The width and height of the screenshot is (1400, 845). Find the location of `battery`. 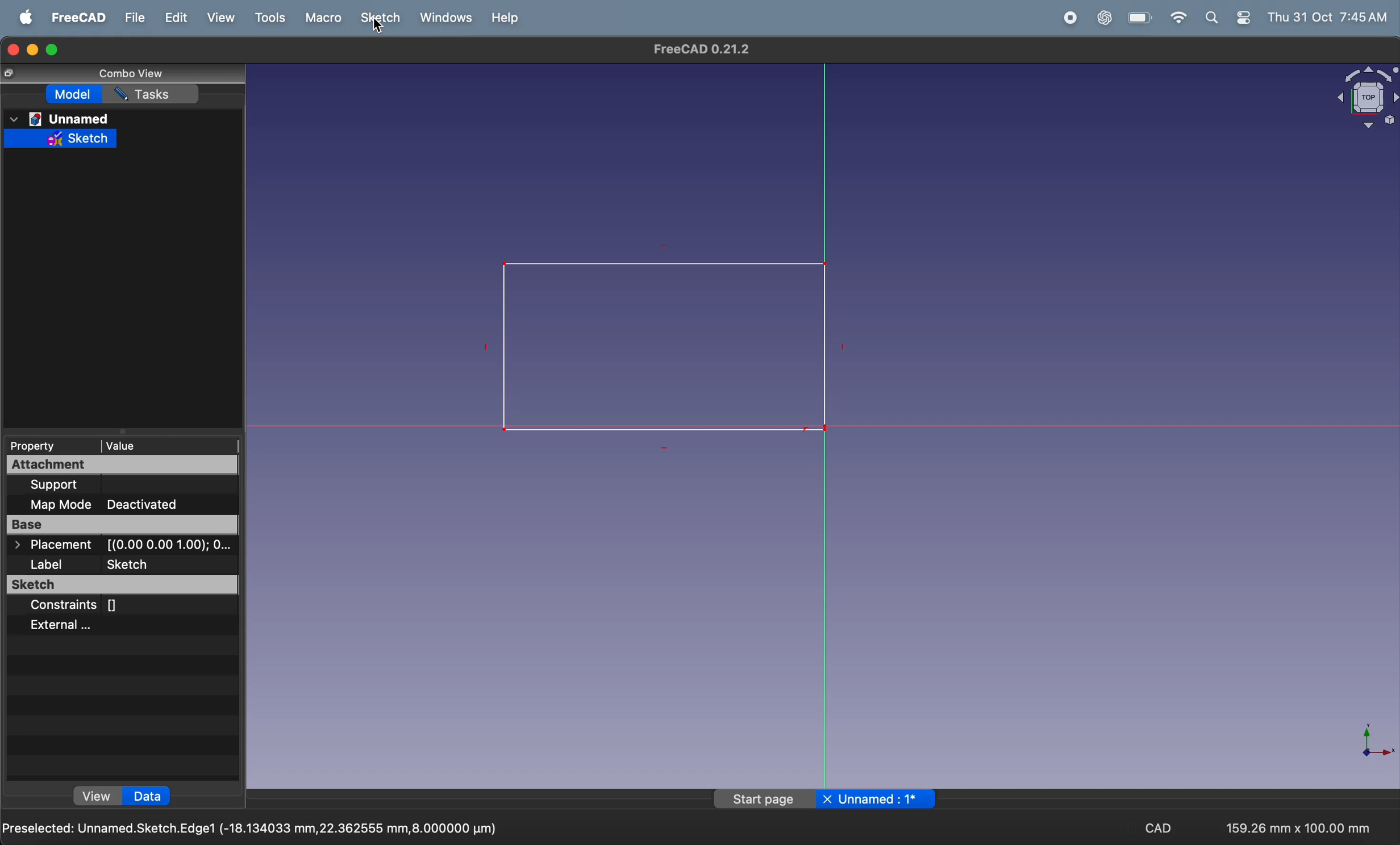

battery is located at coordinates (1139, 18).